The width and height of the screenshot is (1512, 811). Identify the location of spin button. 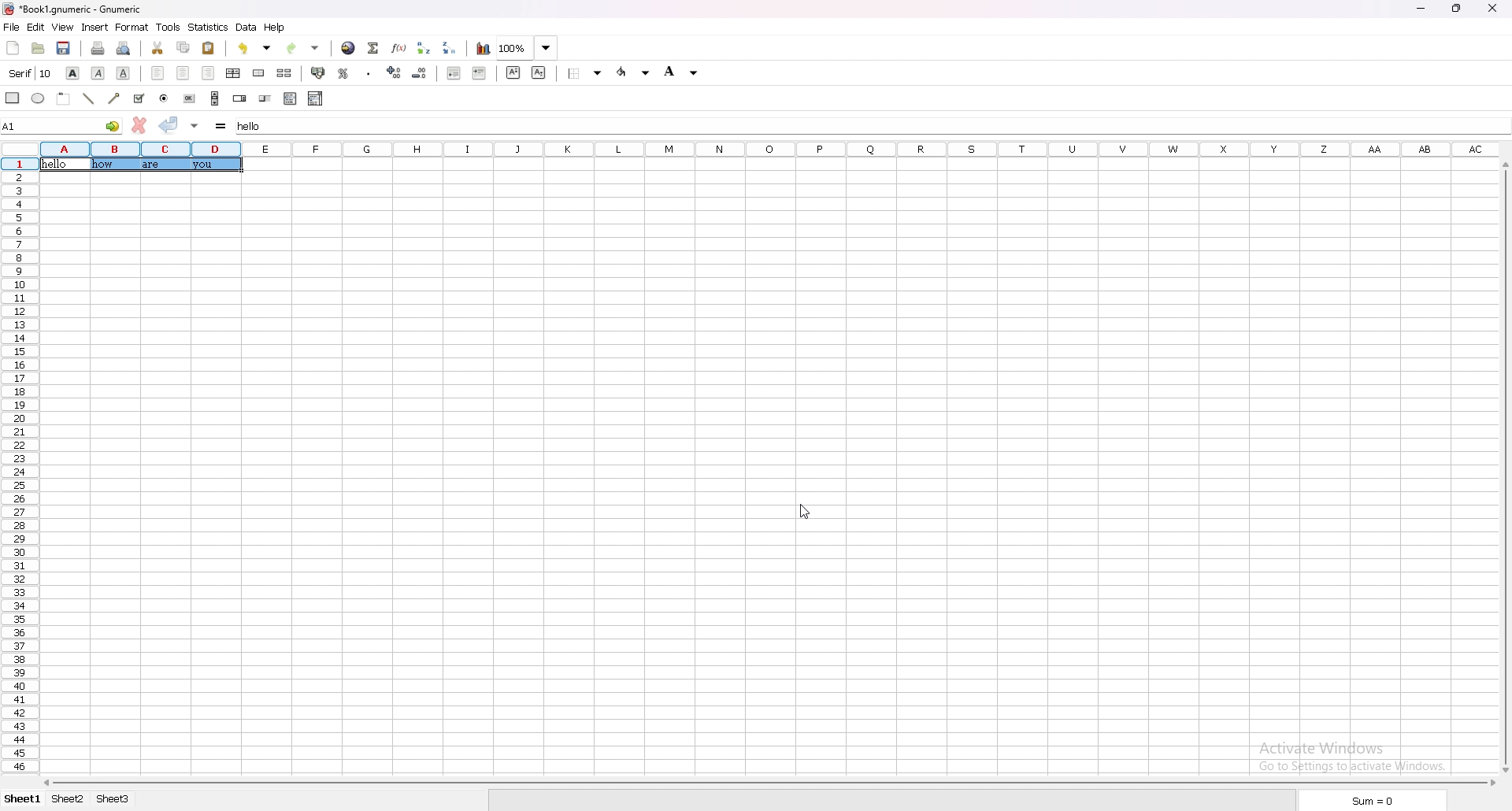
(239, 98).